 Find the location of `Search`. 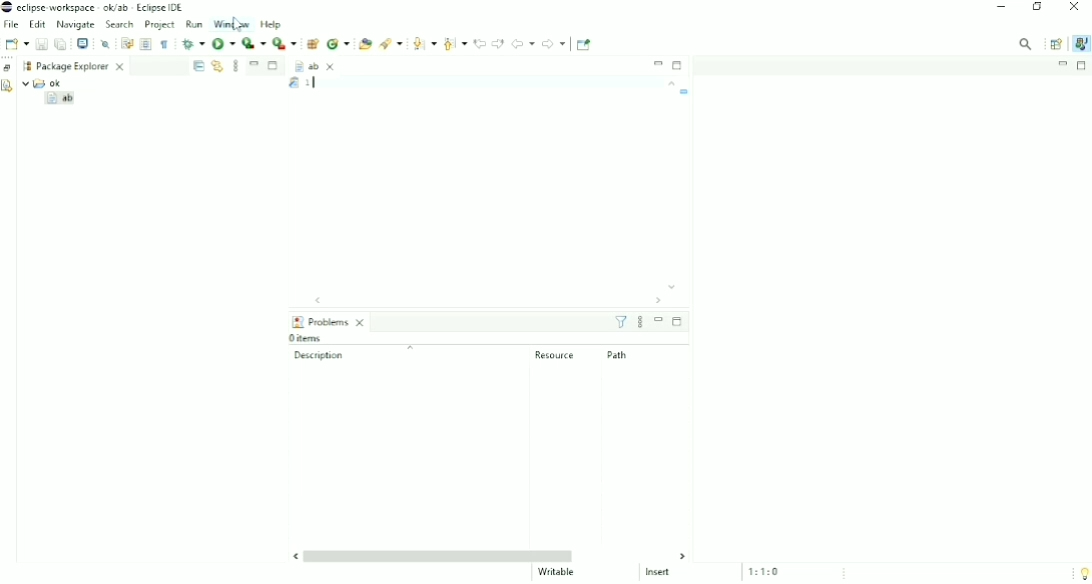

Search is located at coordinates (391, 44).